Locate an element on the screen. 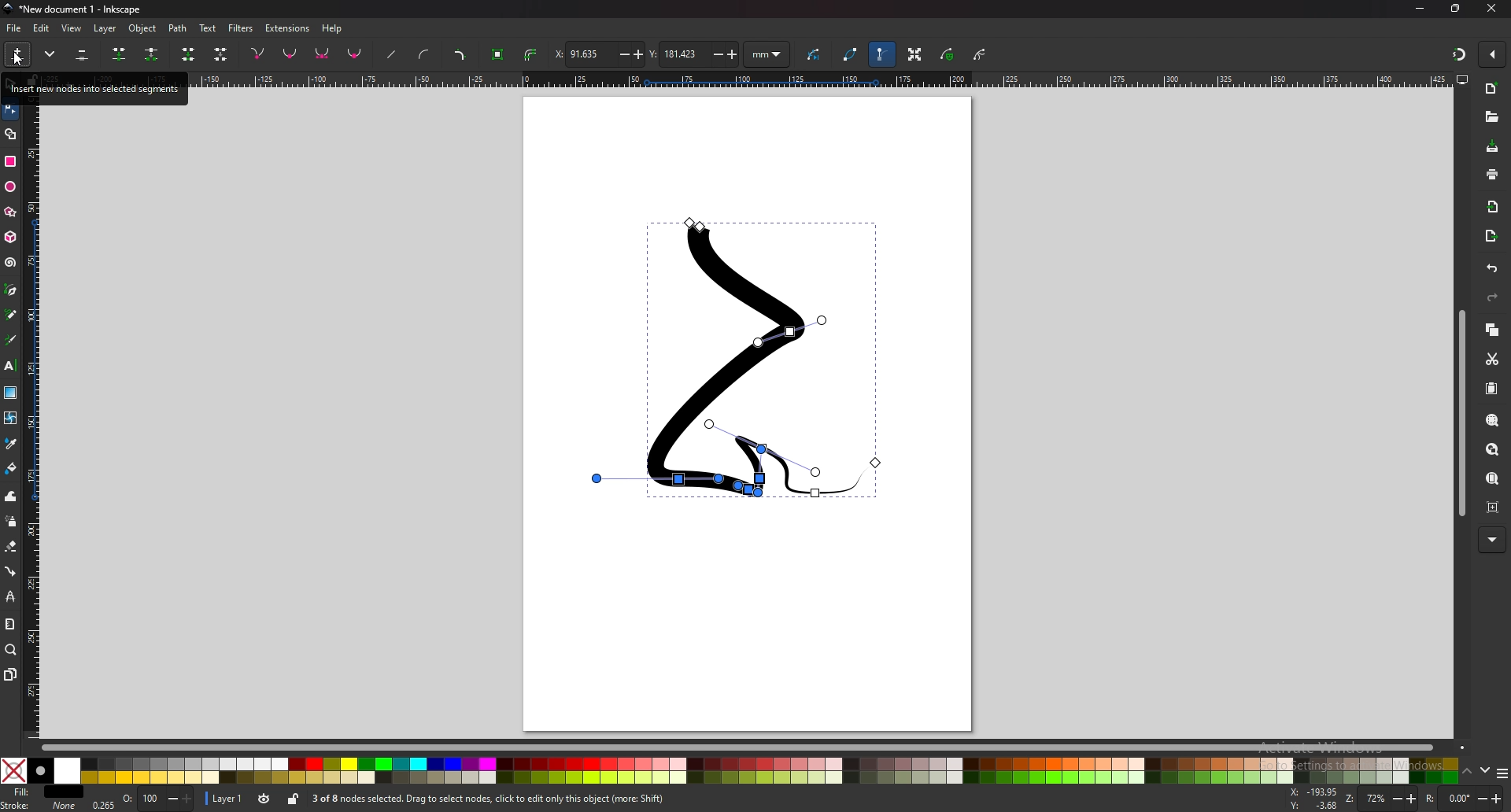 This screenshot has width=1511, height=812. tweak is located at coordinates (11, 496).